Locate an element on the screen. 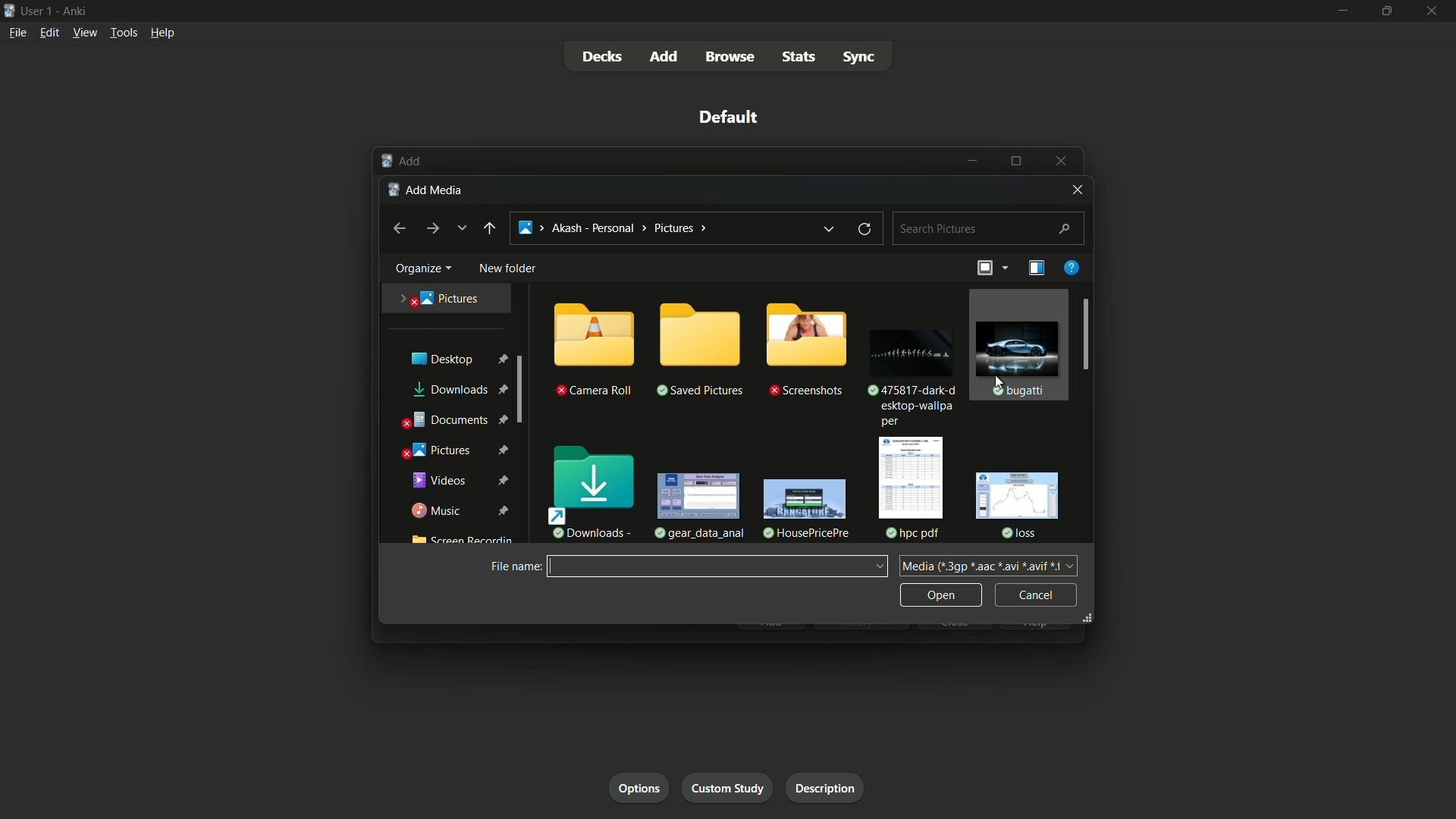 Image resolution: width=1456 pixels, height=819 pixels. folder-3 is located at coordinates (805, 352).